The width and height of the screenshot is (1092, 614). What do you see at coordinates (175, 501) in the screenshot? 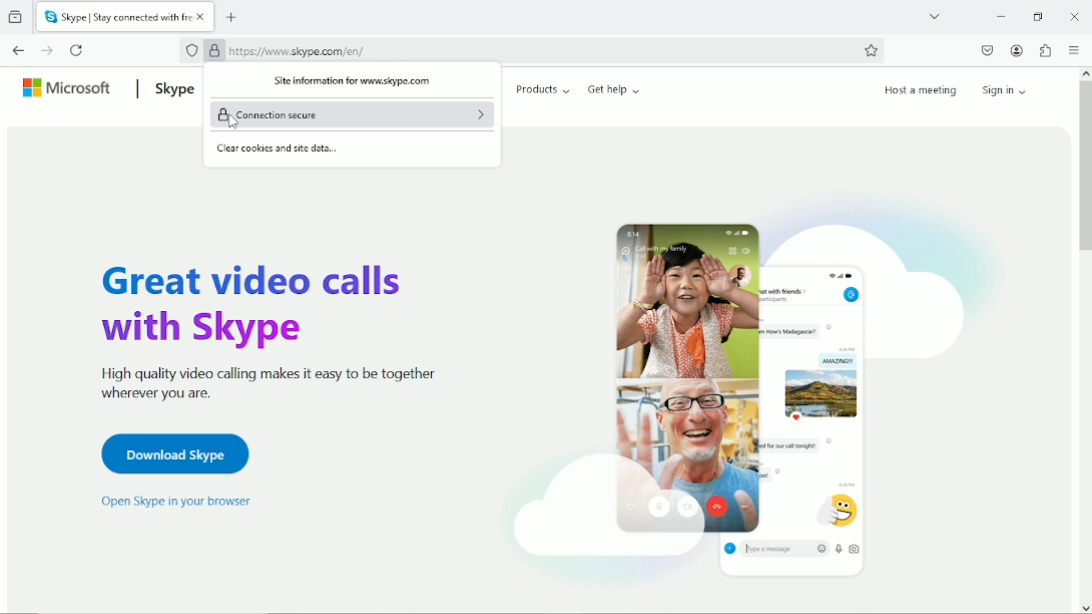
I see `open skype in your browser` at bounding box center [175, 501].